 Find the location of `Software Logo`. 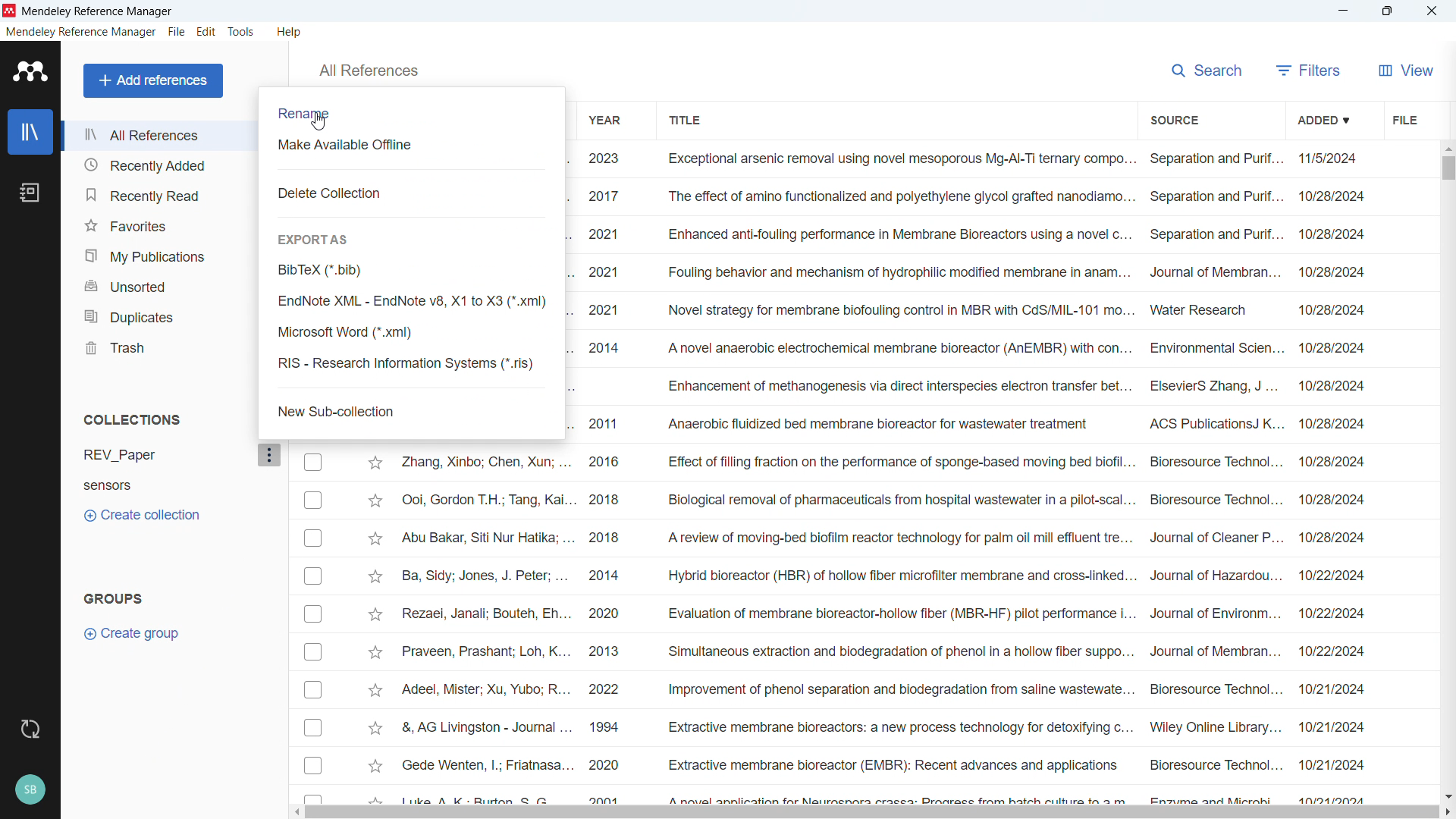

Software Logo is located at coordinates (28, 71).